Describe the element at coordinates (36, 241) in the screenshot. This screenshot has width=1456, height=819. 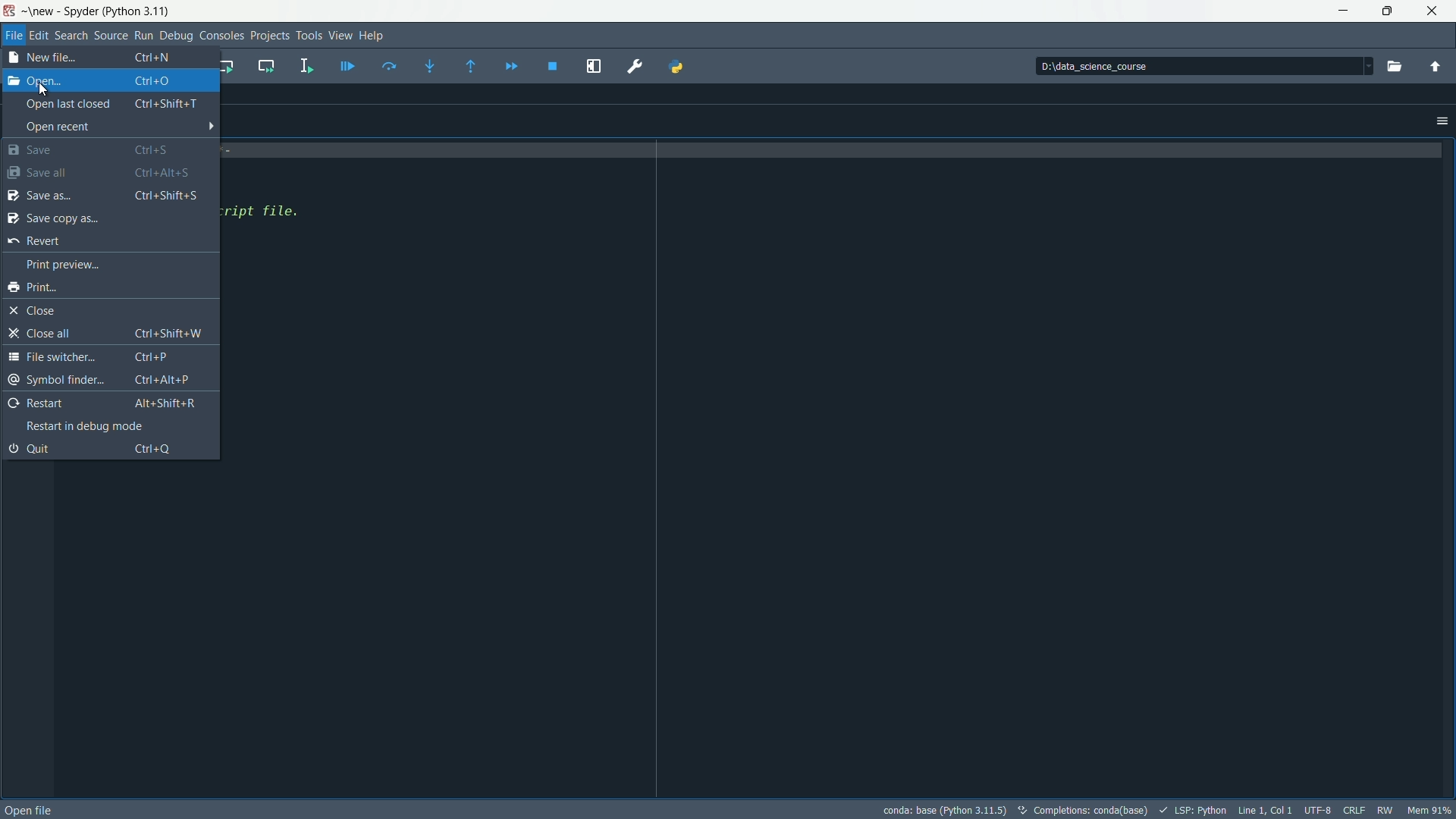
I see `revert` at that location.